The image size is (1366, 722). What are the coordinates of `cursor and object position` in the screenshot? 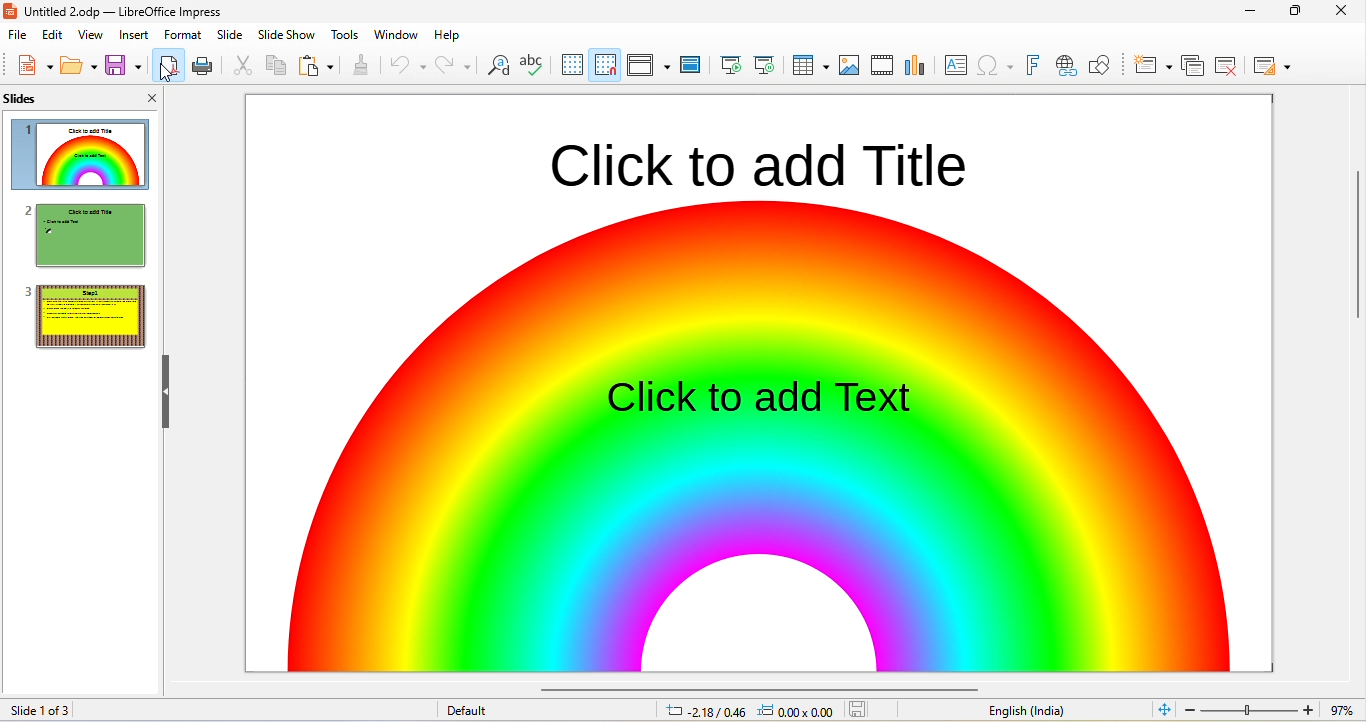 It's located at (749, 711).